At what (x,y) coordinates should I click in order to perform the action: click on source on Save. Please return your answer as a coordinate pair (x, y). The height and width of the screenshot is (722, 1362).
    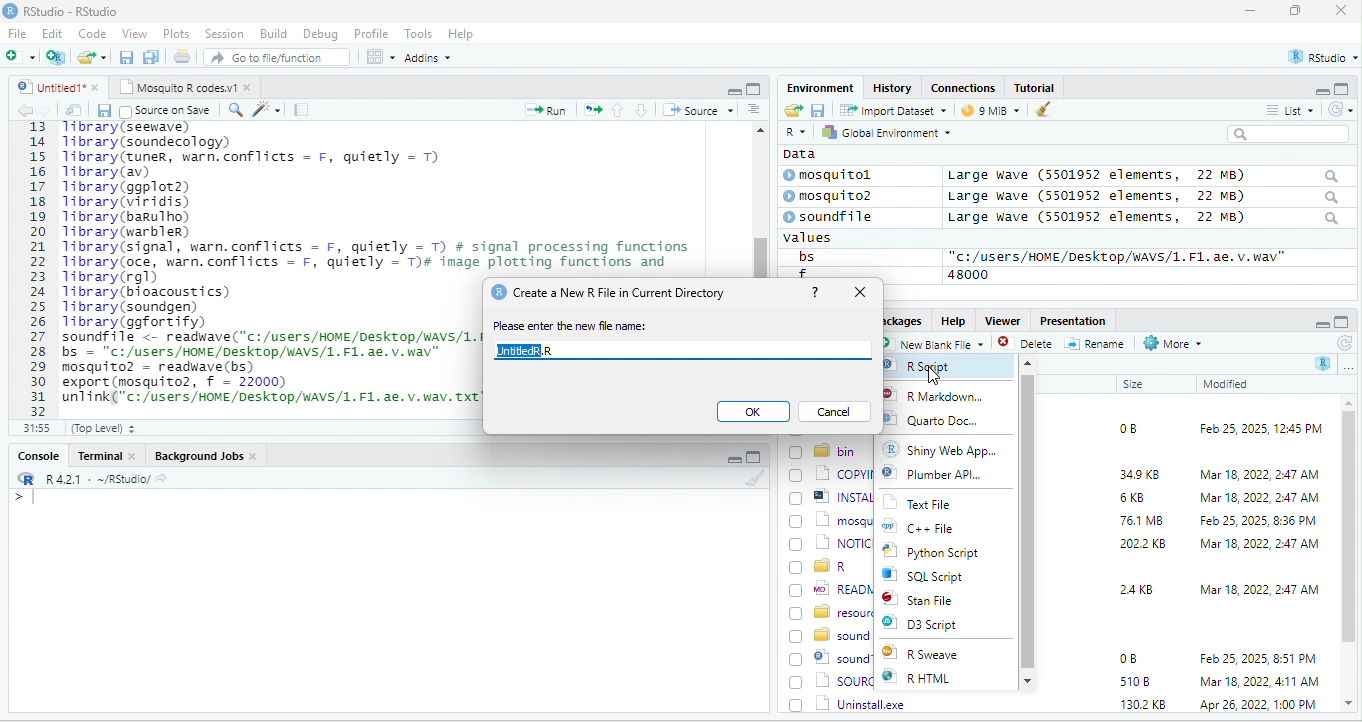
    Looking at the image, I should click on (167, 112).